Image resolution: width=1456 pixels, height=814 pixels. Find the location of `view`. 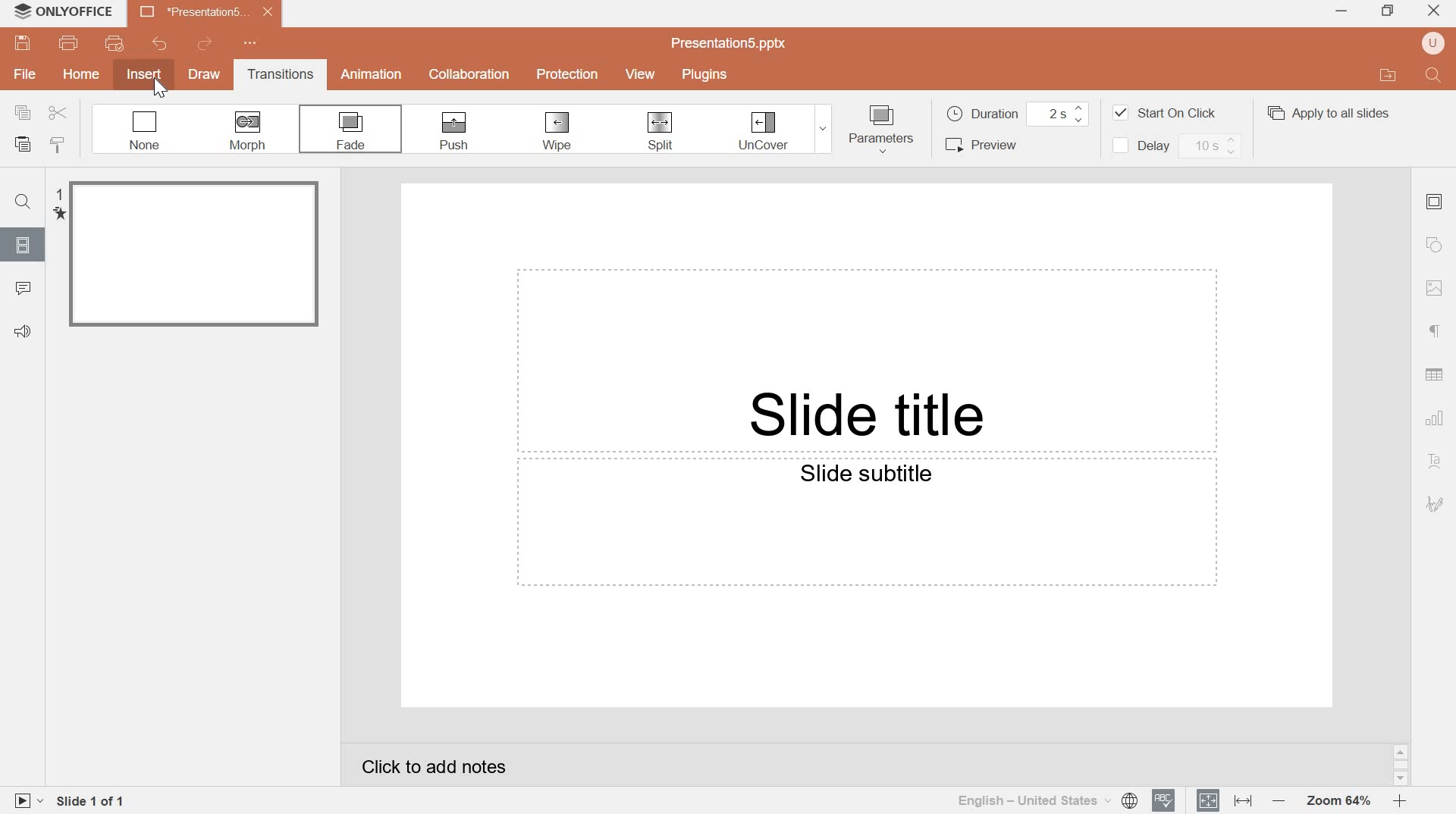

view is located at coordinates (643, 74).